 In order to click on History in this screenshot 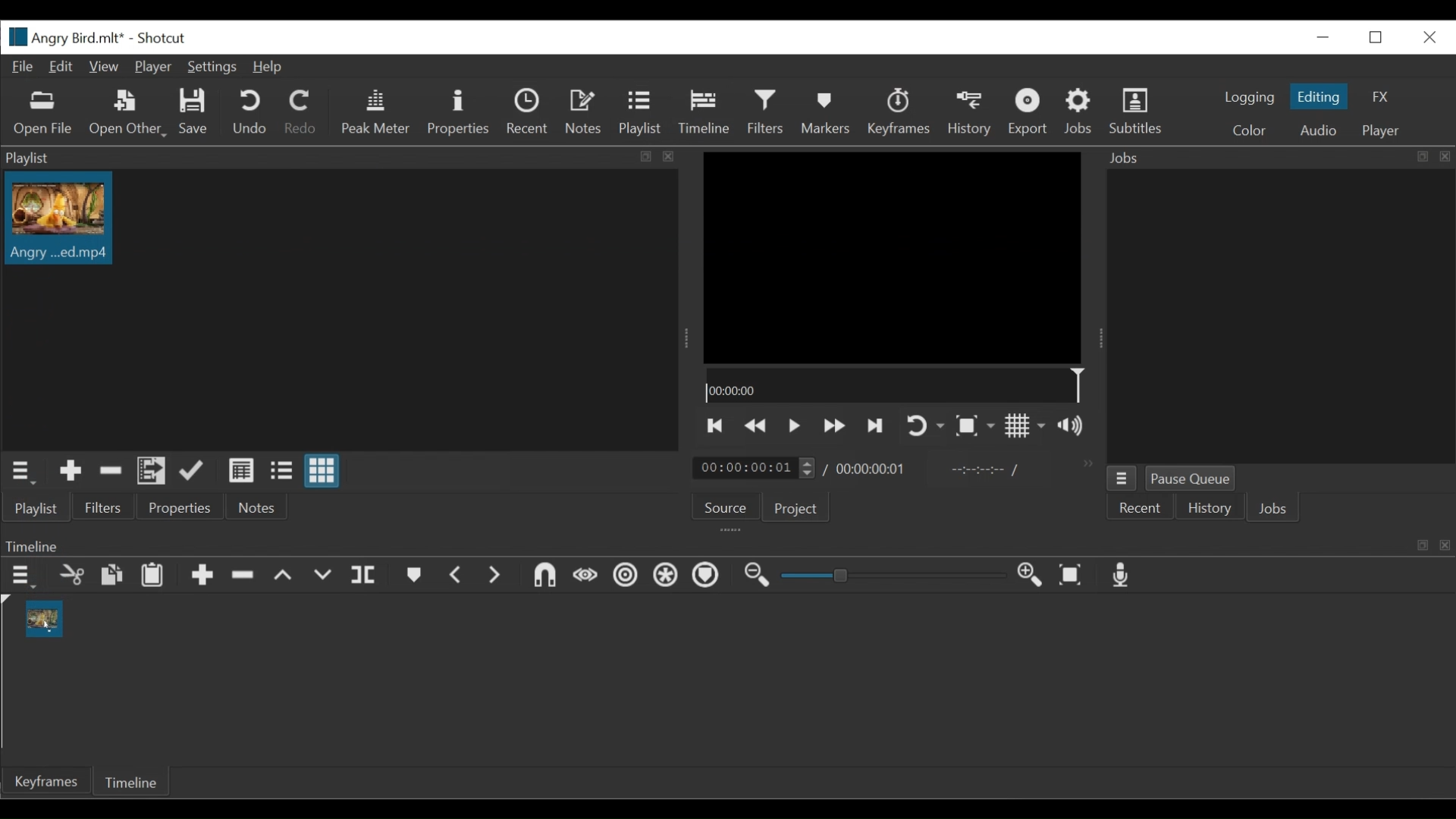, I will do `click(1209, 507)`.